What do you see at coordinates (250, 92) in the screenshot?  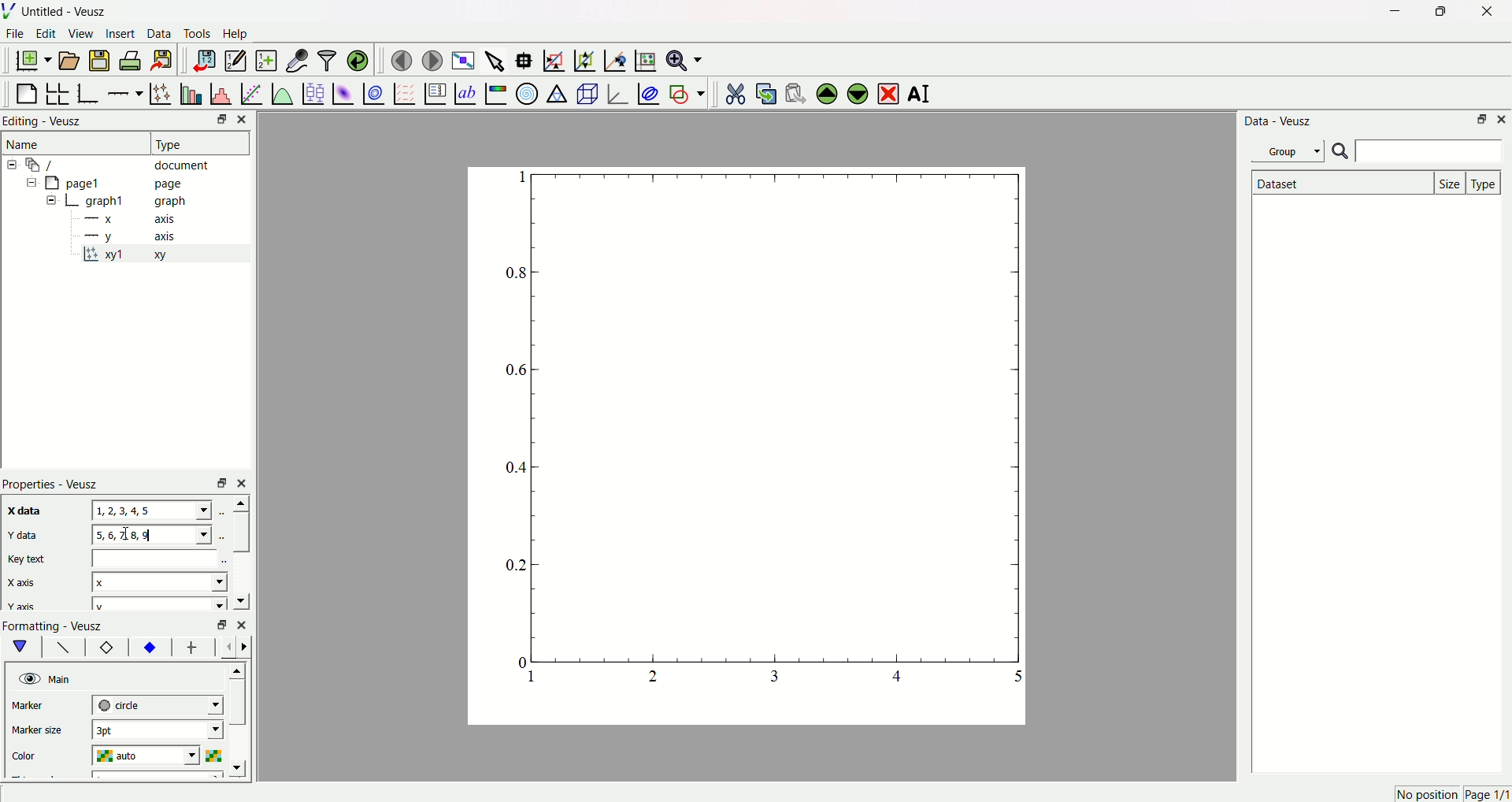 I see `fit a function` at bounding box center [250, 92].